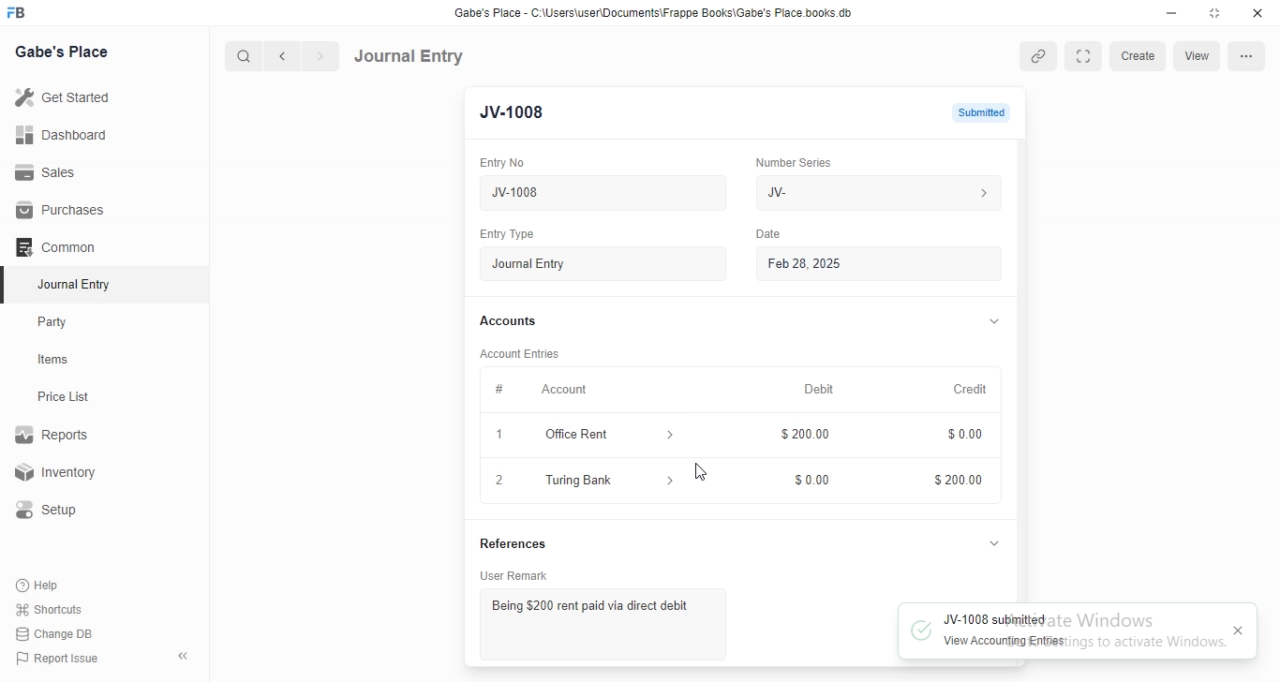 This screenshot has width=1280, height=682. What do you see at coordinates (597, 602) in the screenshot?
I see `Being $200 rent paid via direct debit` at bounding box center [597, 602].